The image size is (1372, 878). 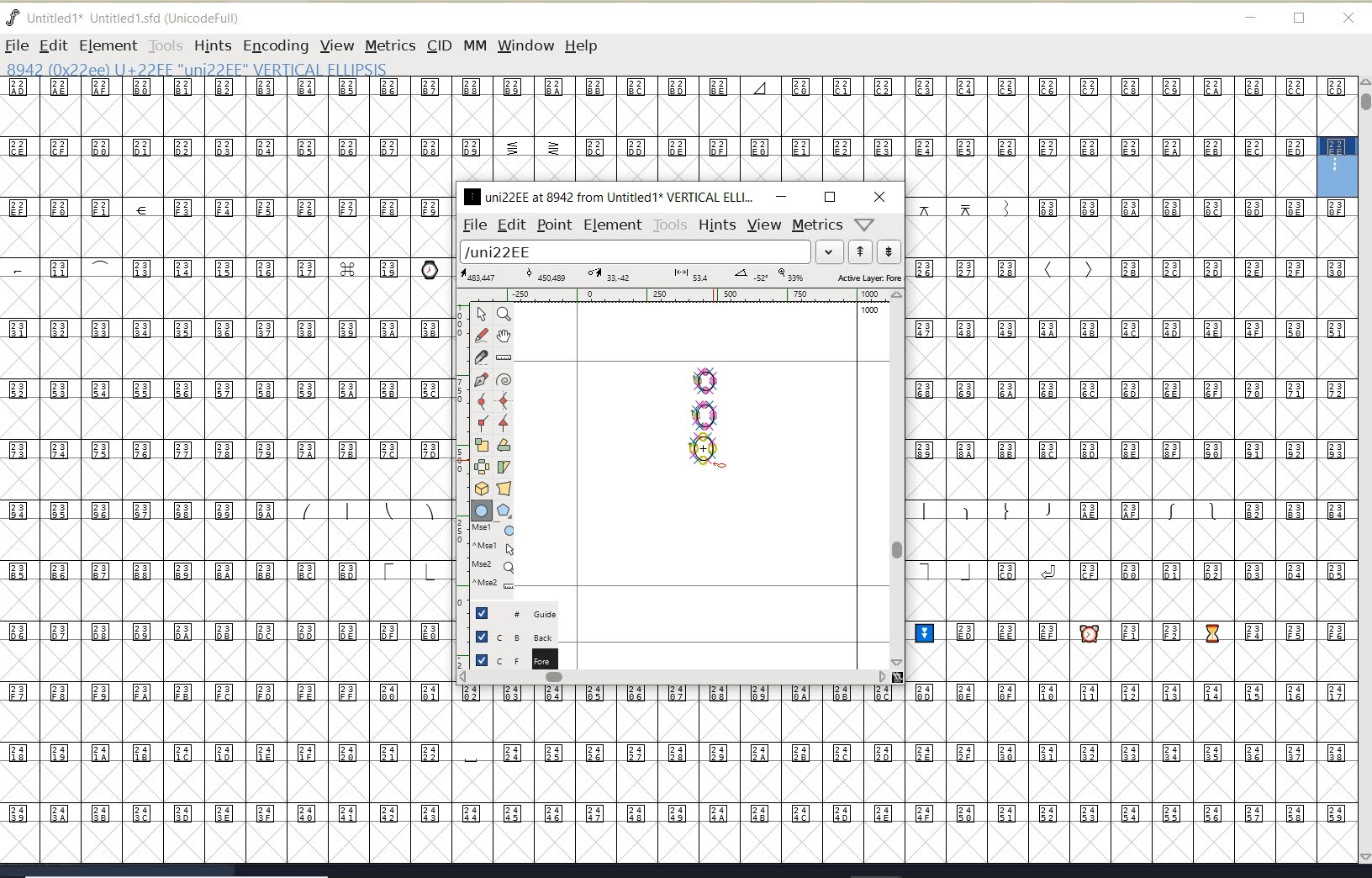 I want to click on GLYPHY CHARACTERS & NUMBERS, so click(x=455, y=773).